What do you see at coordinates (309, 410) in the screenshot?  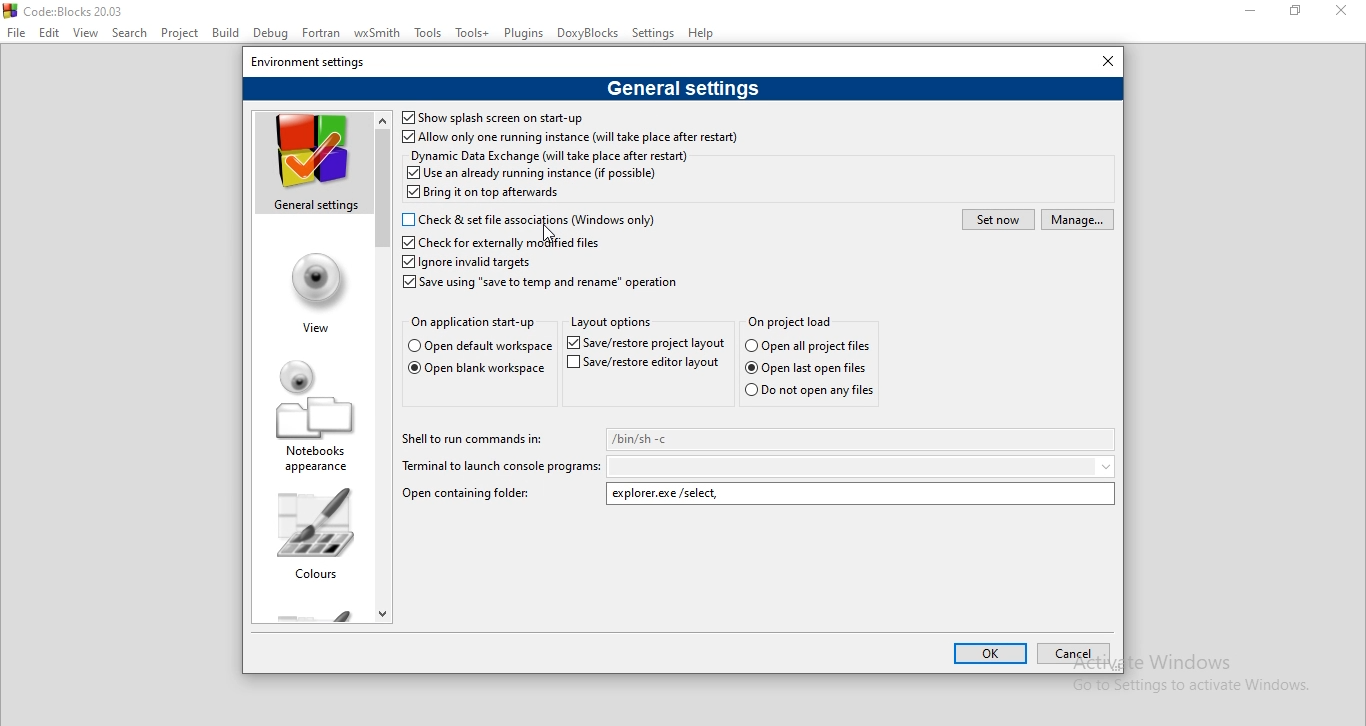 I see `notebooks appearance` at bounding box center [309, 410].